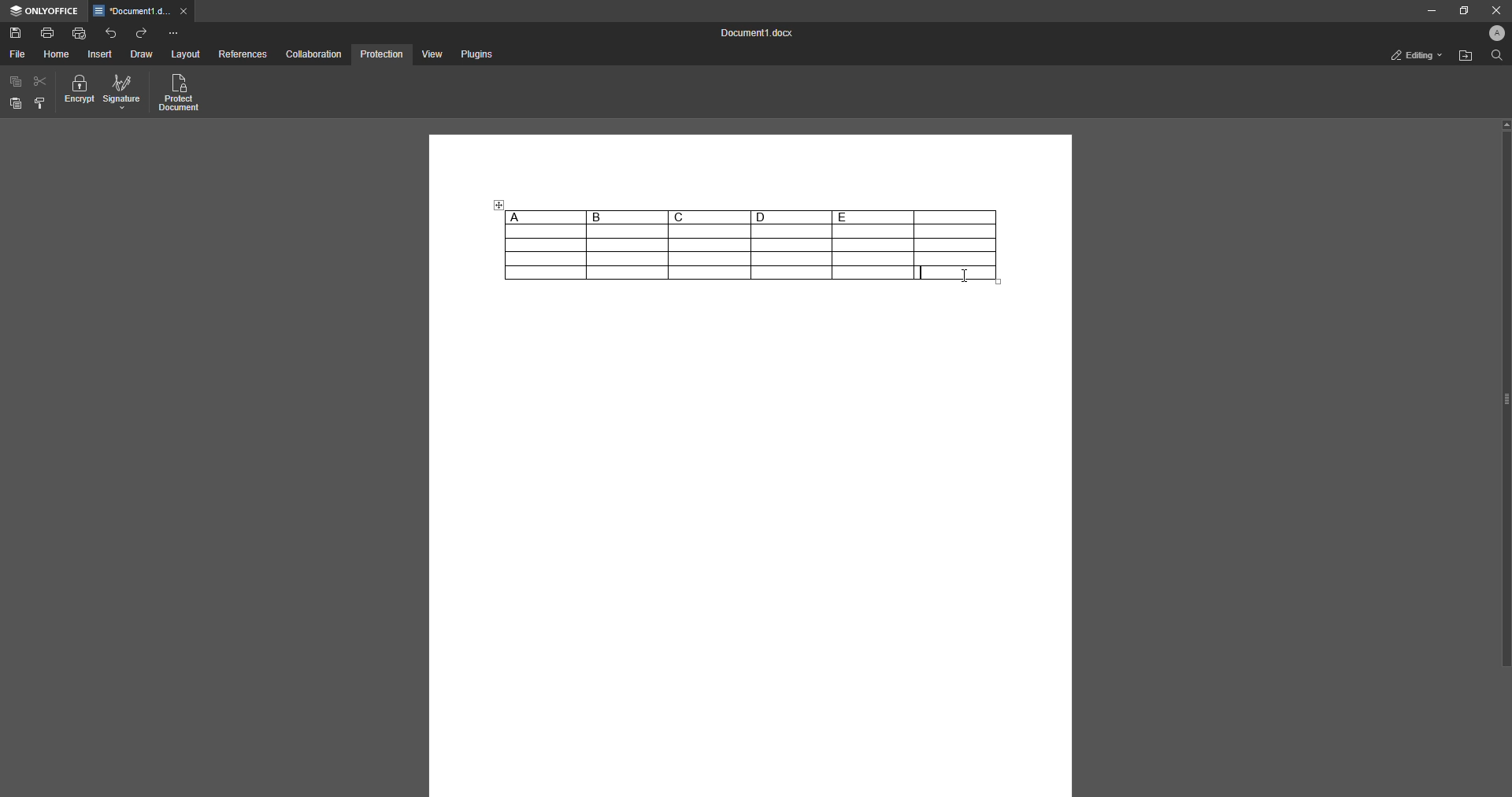  I want to click on Document 1, so click(753, 35).